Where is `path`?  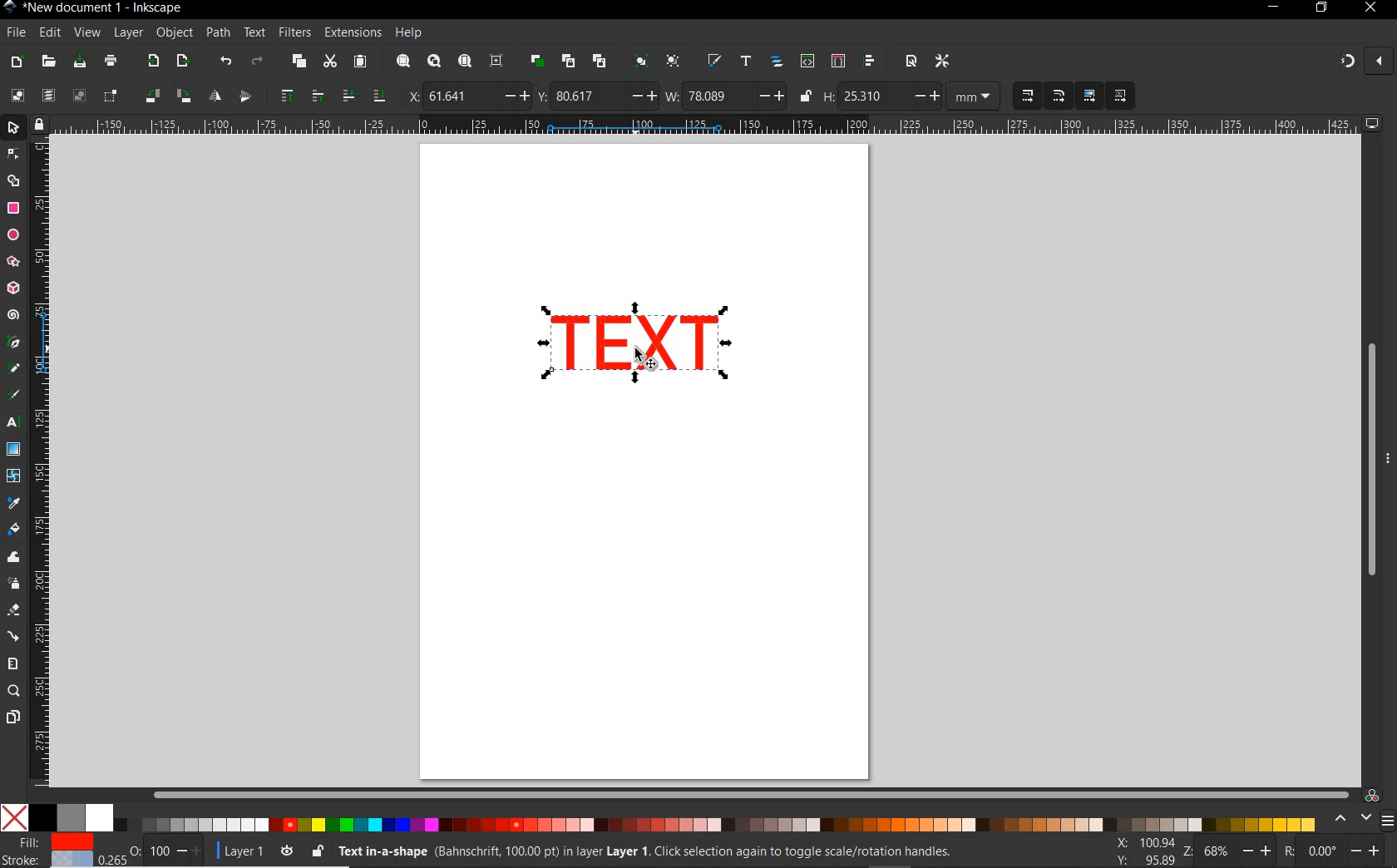
path is located at coordinates (218, 33).